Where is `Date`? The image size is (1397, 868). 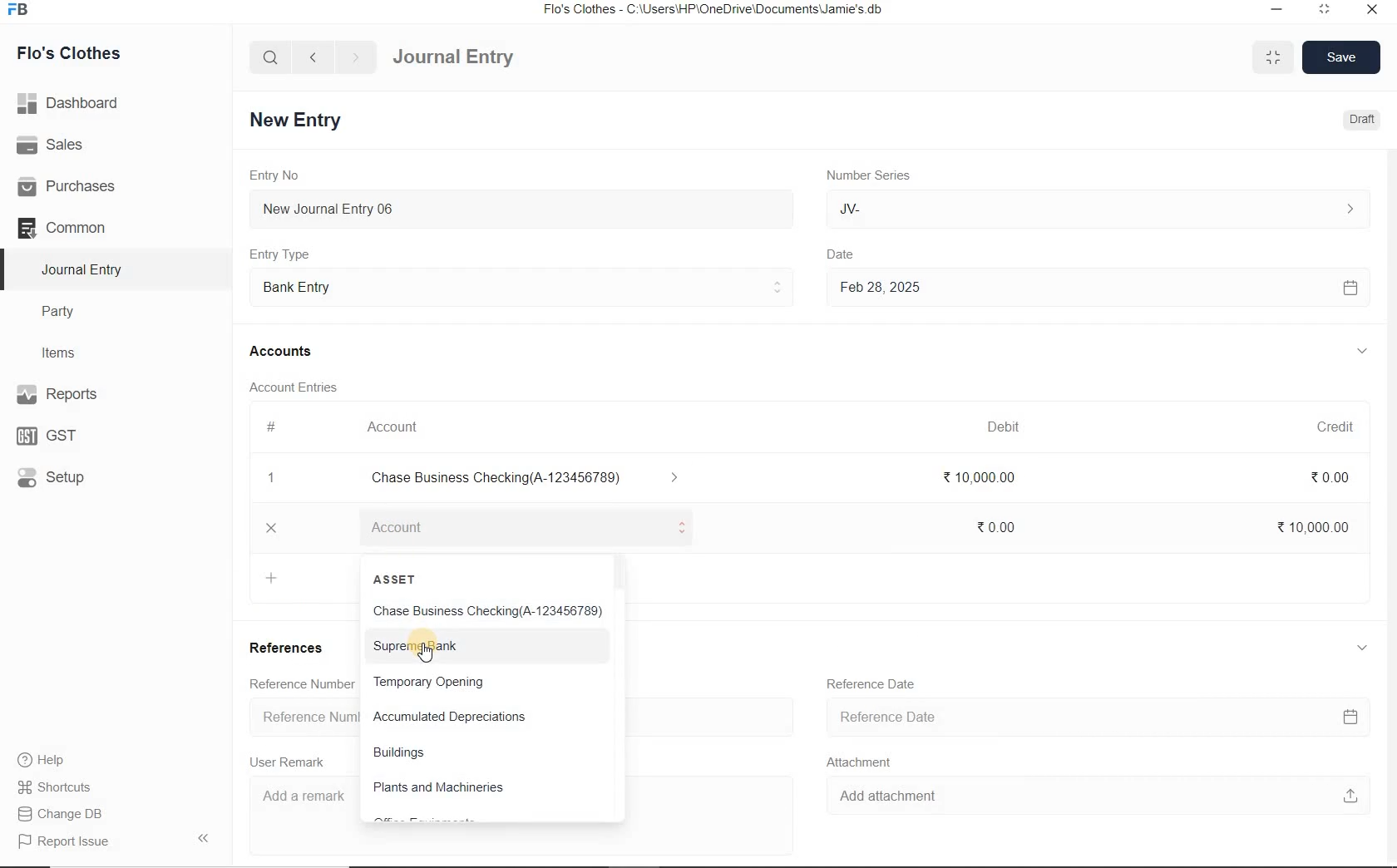 Date is located at coordinates (852, 250).